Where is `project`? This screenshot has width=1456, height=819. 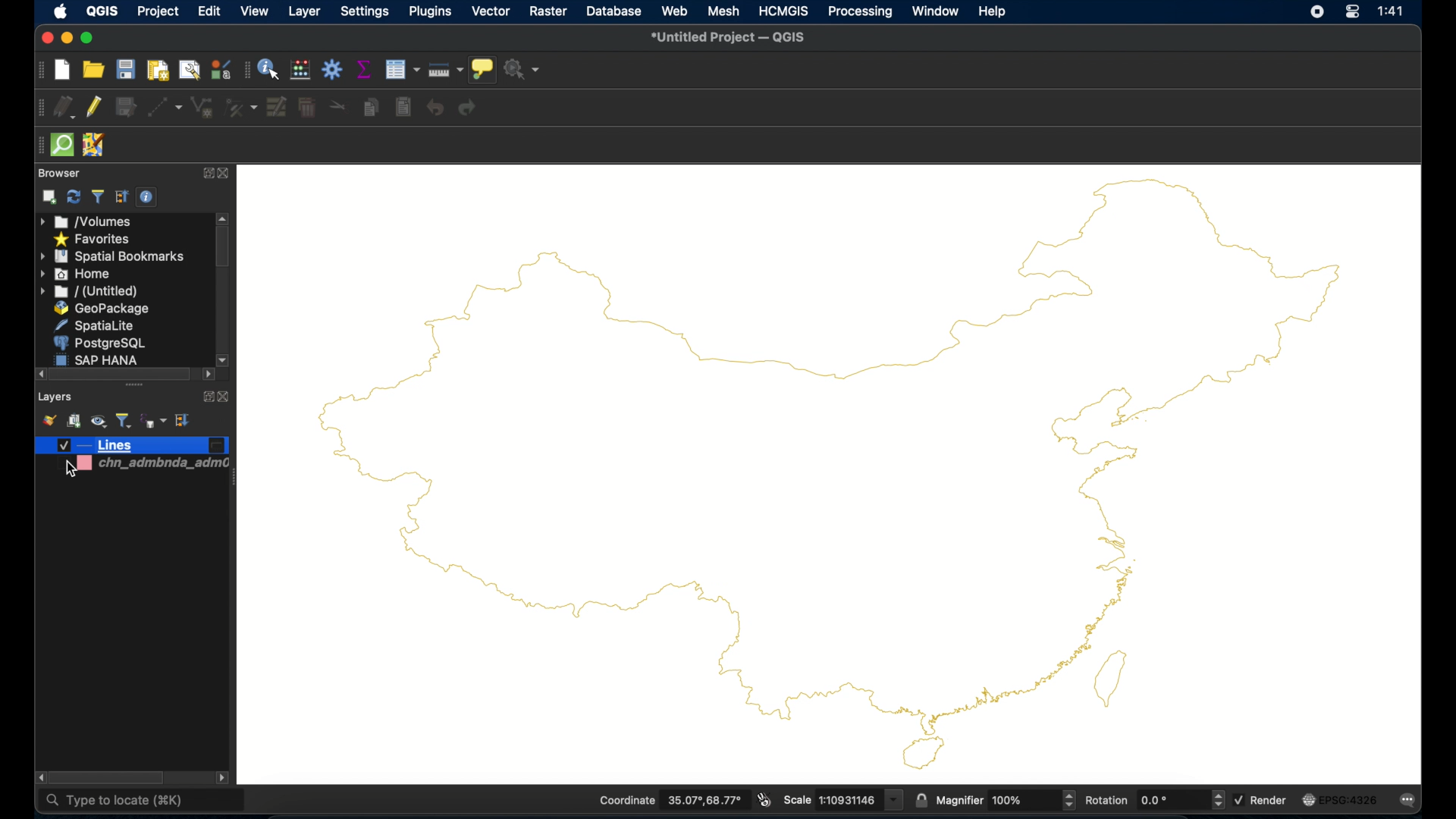
project is located at coordinates (158, 13).